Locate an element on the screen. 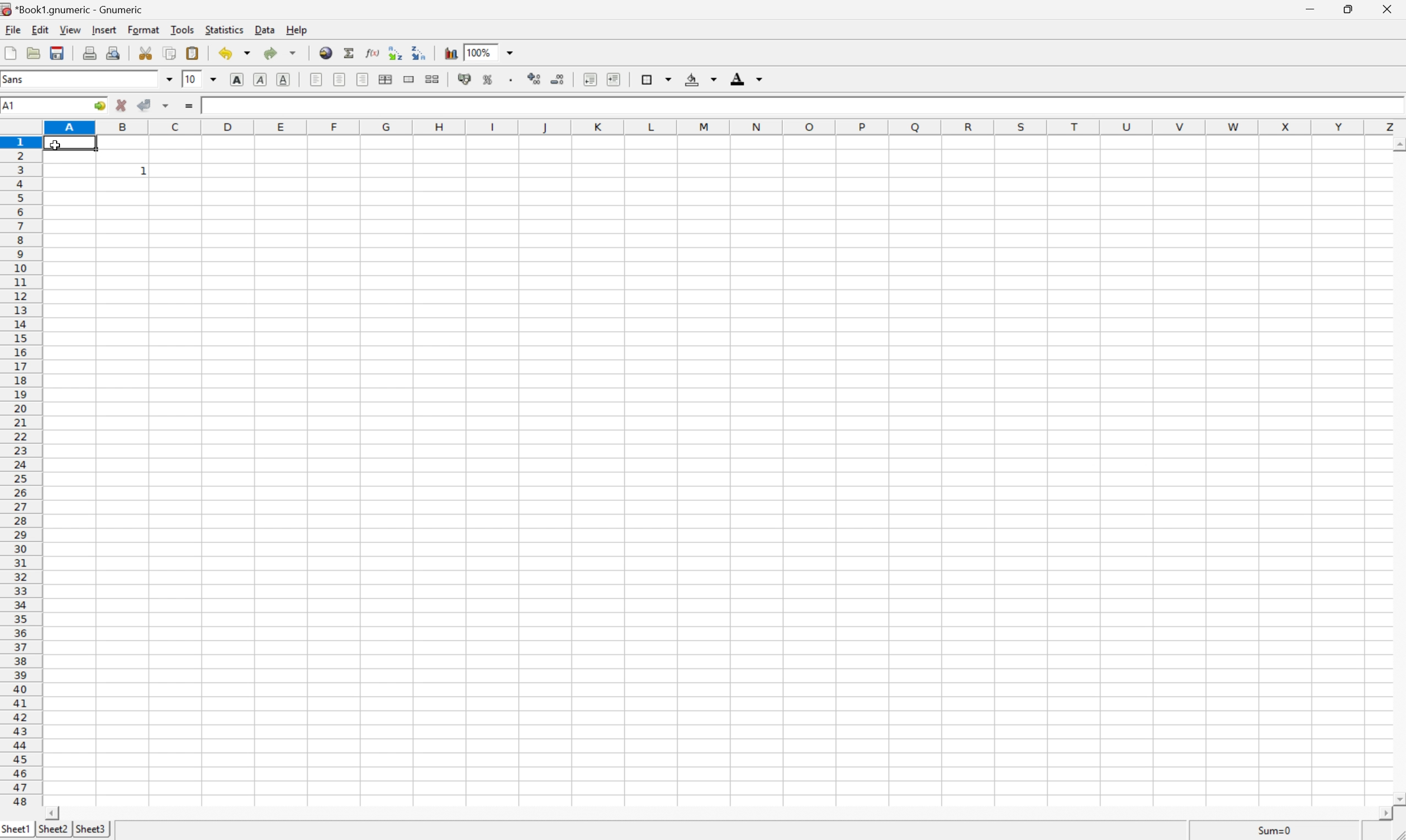  sort the selected region in ascending order based on the first column selected is located at coordinates (396, 53).